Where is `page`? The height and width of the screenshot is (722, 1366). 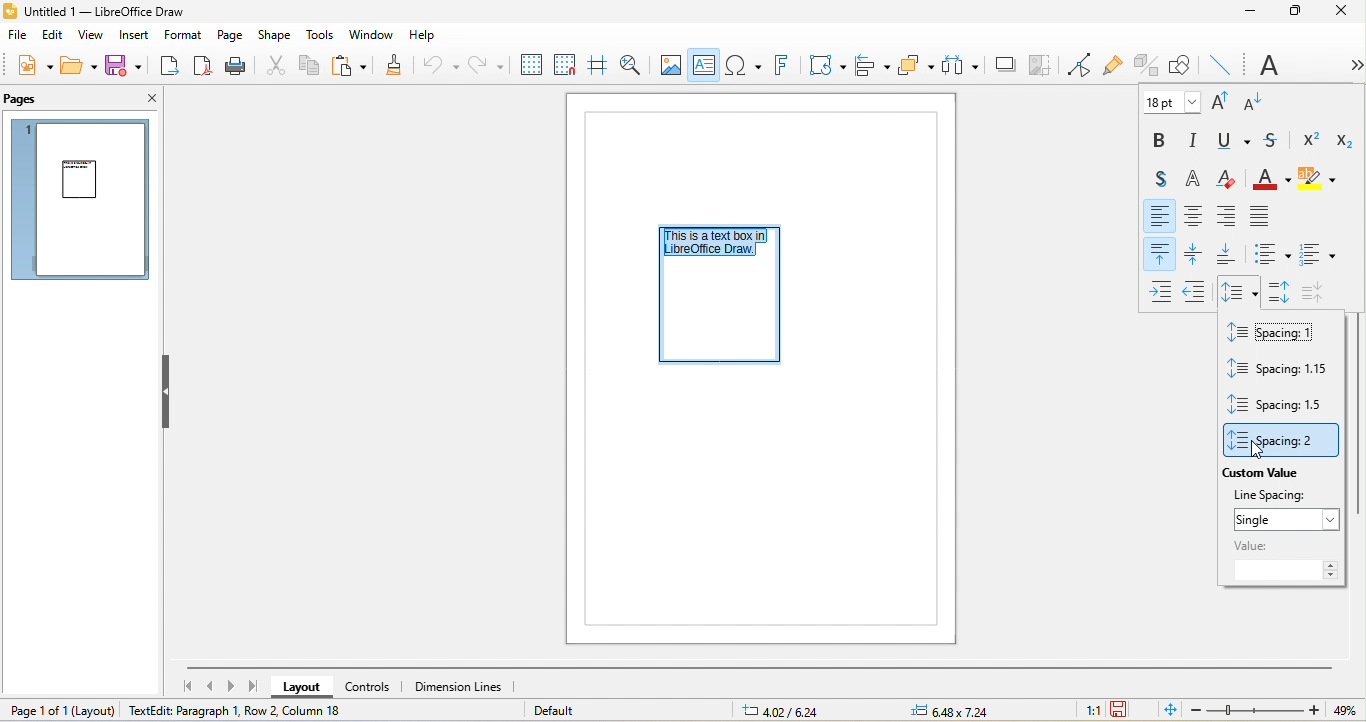 page is located at coordinates (232, 36).